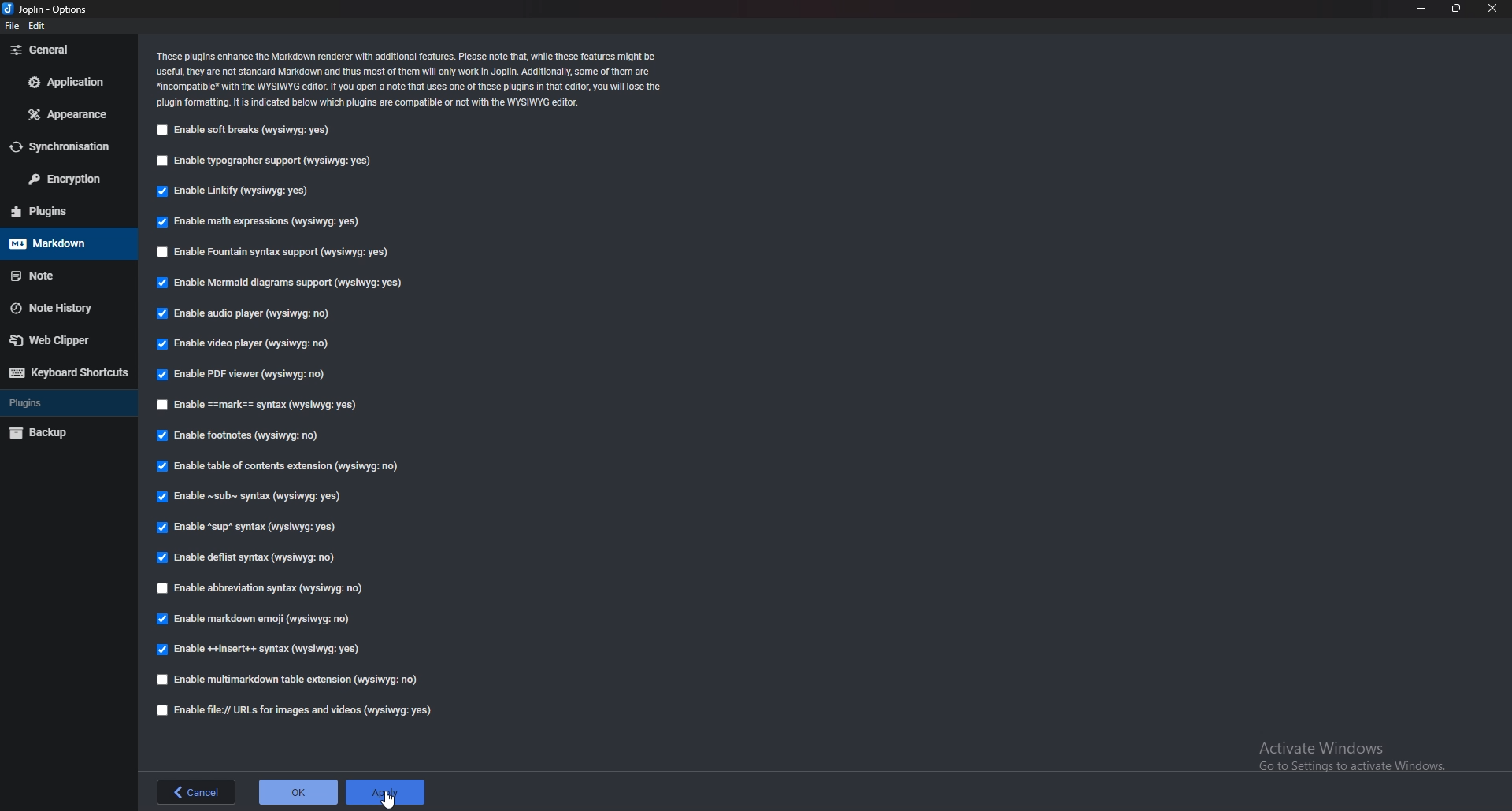 This screenshot has width=1512, height=811. What do you see at coordinates (413, 77) in the screenshot?
I see `info` at bounding box center [413, 77].